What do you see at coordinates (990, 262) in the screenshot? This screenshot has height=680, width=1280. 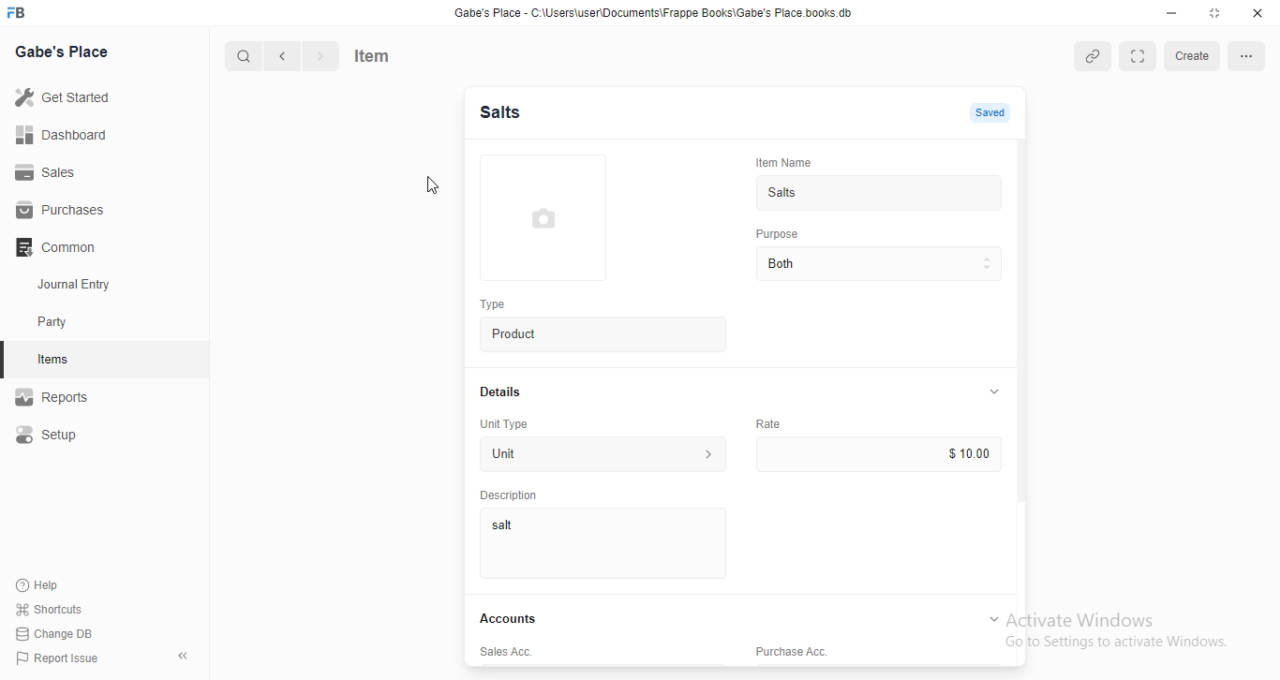 I see `dropdown` at bounding box center [990, 262].